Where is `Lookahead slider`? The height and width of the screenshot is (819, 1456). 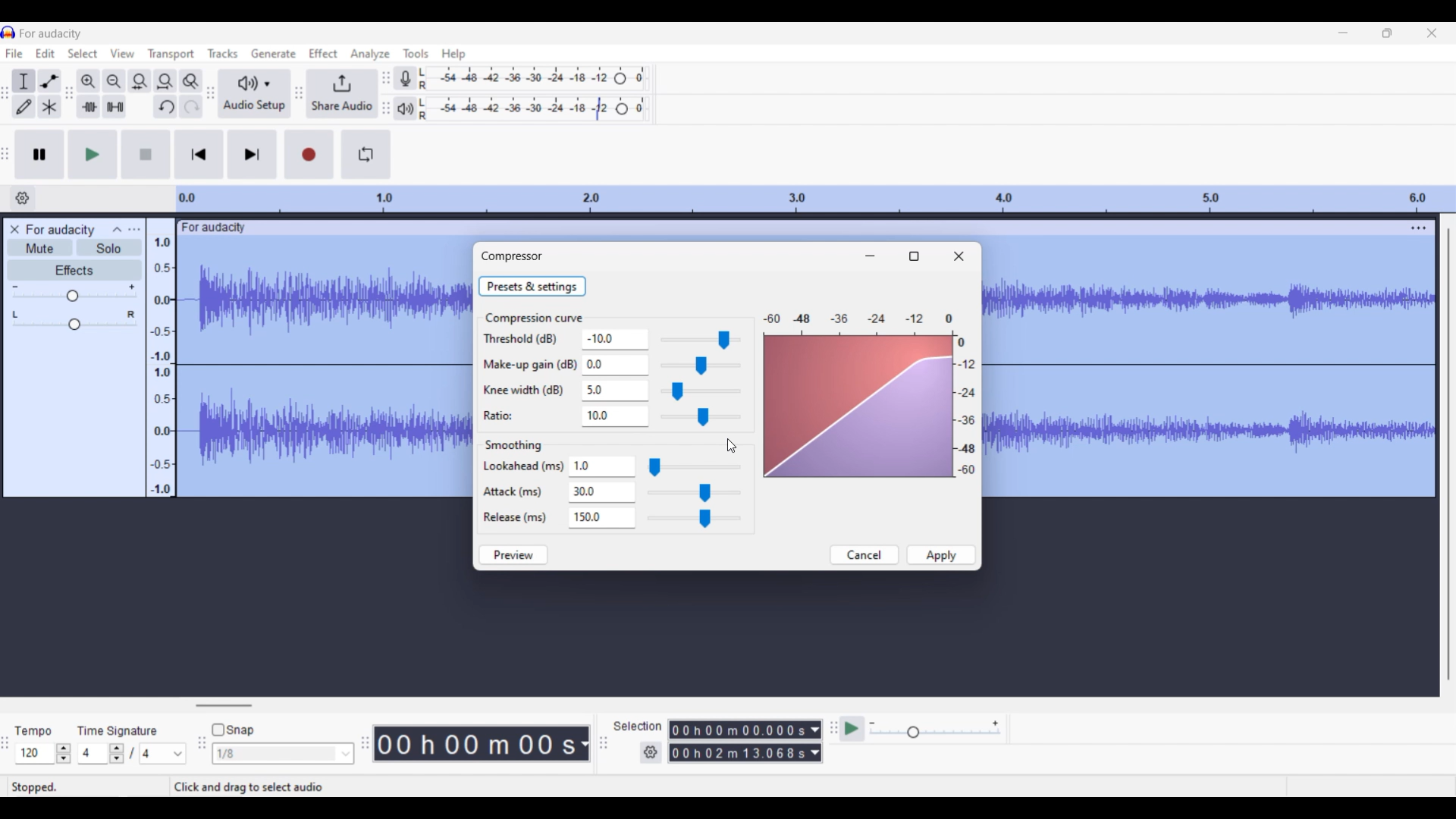 Lookahead slider is located at coordinates (694, 467).